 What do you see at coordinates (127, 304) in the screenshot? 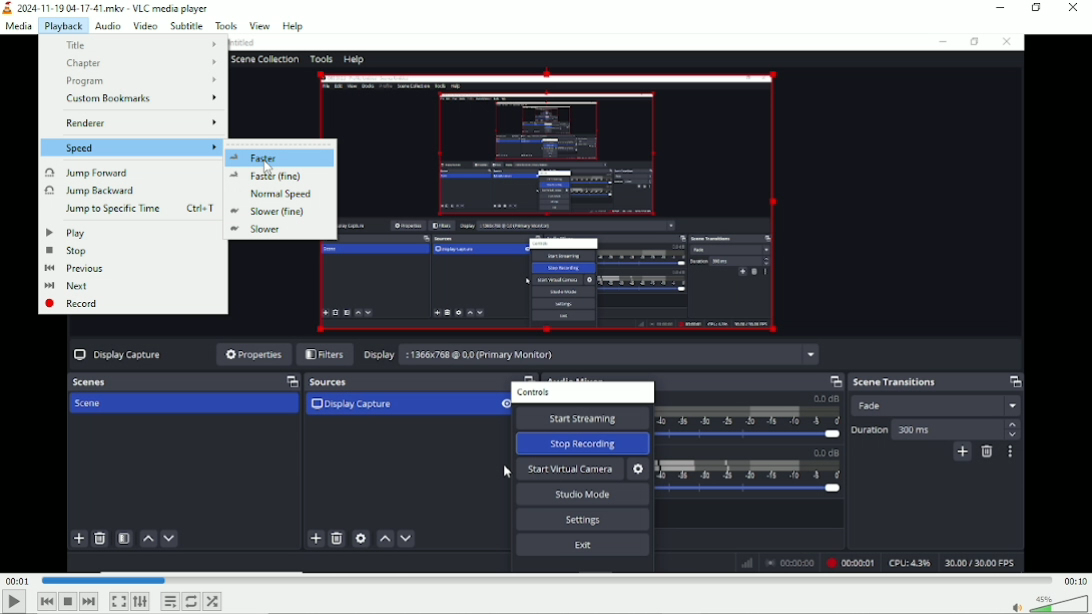
I see `record` at bounding box center [127, 304].